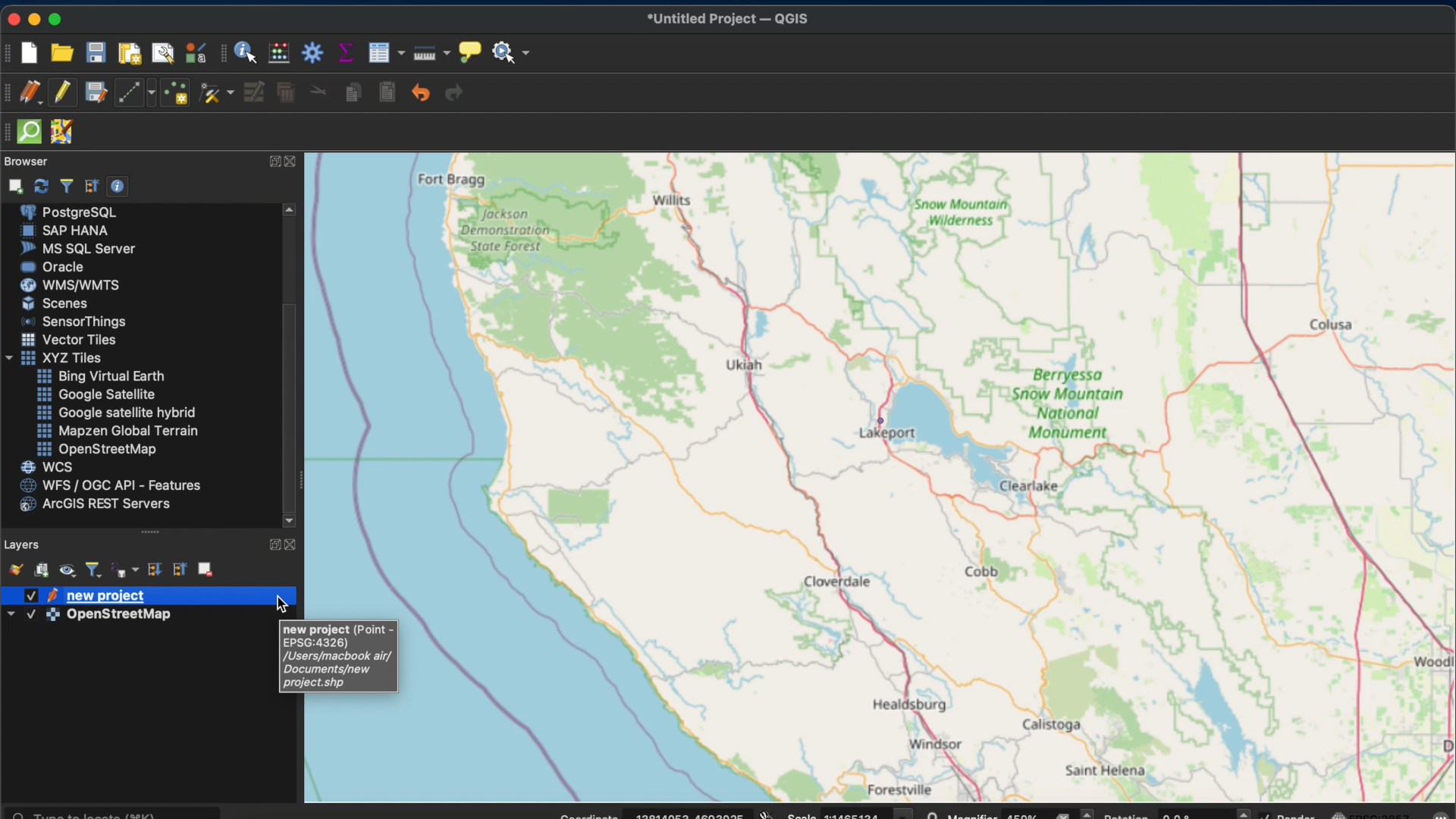 This screenshot has height=819, width=1456. I want to click on showlayout manager, so click(163, 54).